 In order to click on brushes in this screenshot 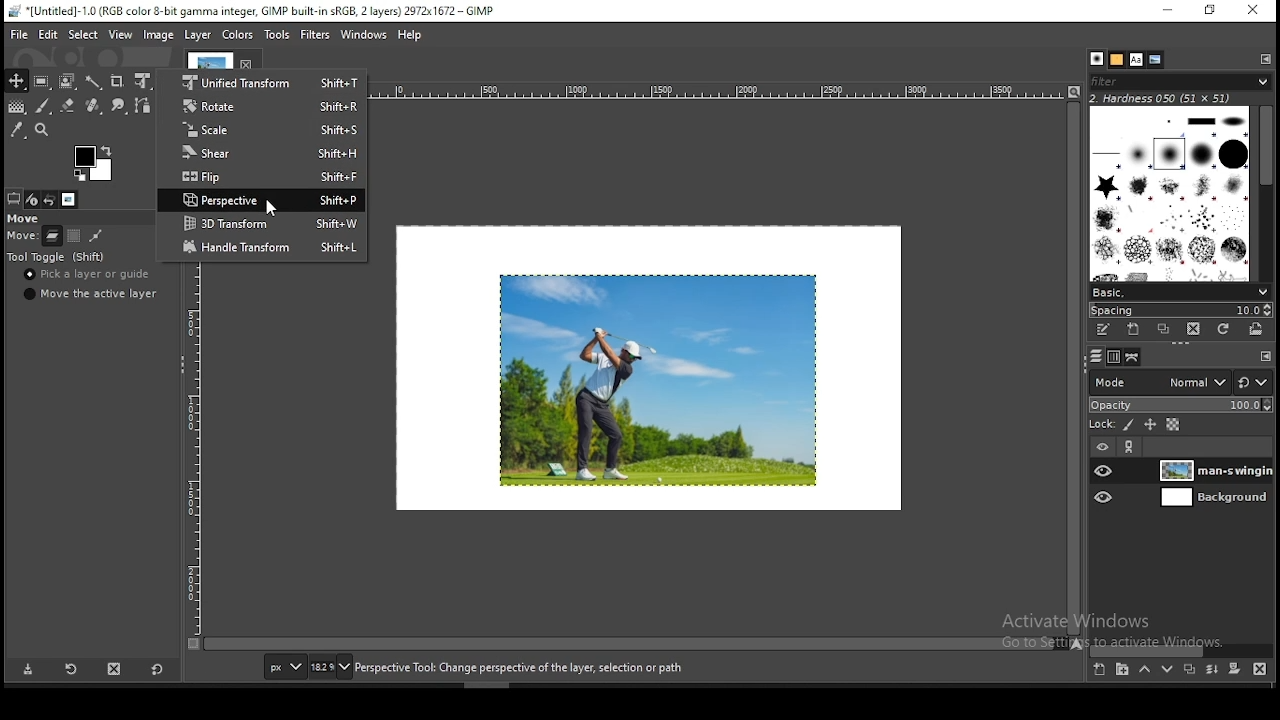, I will do `click(1170, 194)`.